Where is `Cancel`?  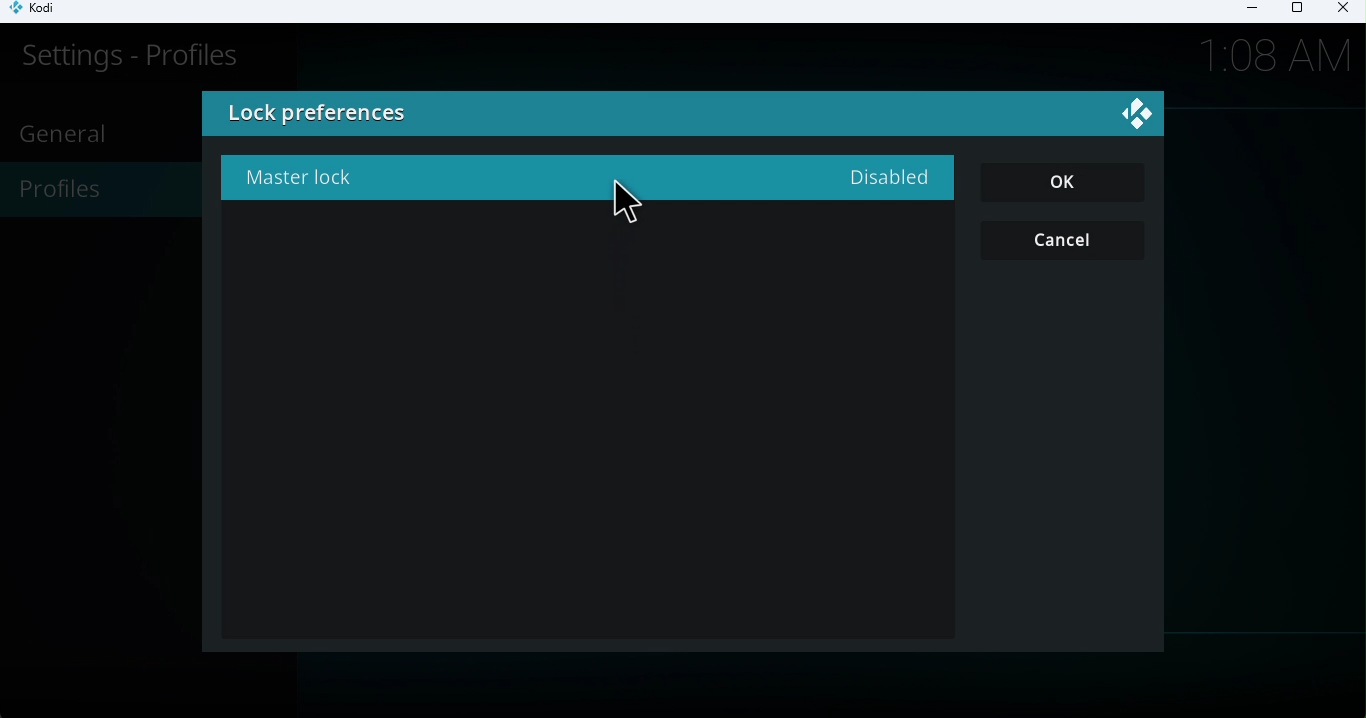 Cancel is located at coordinates (1066, 241).